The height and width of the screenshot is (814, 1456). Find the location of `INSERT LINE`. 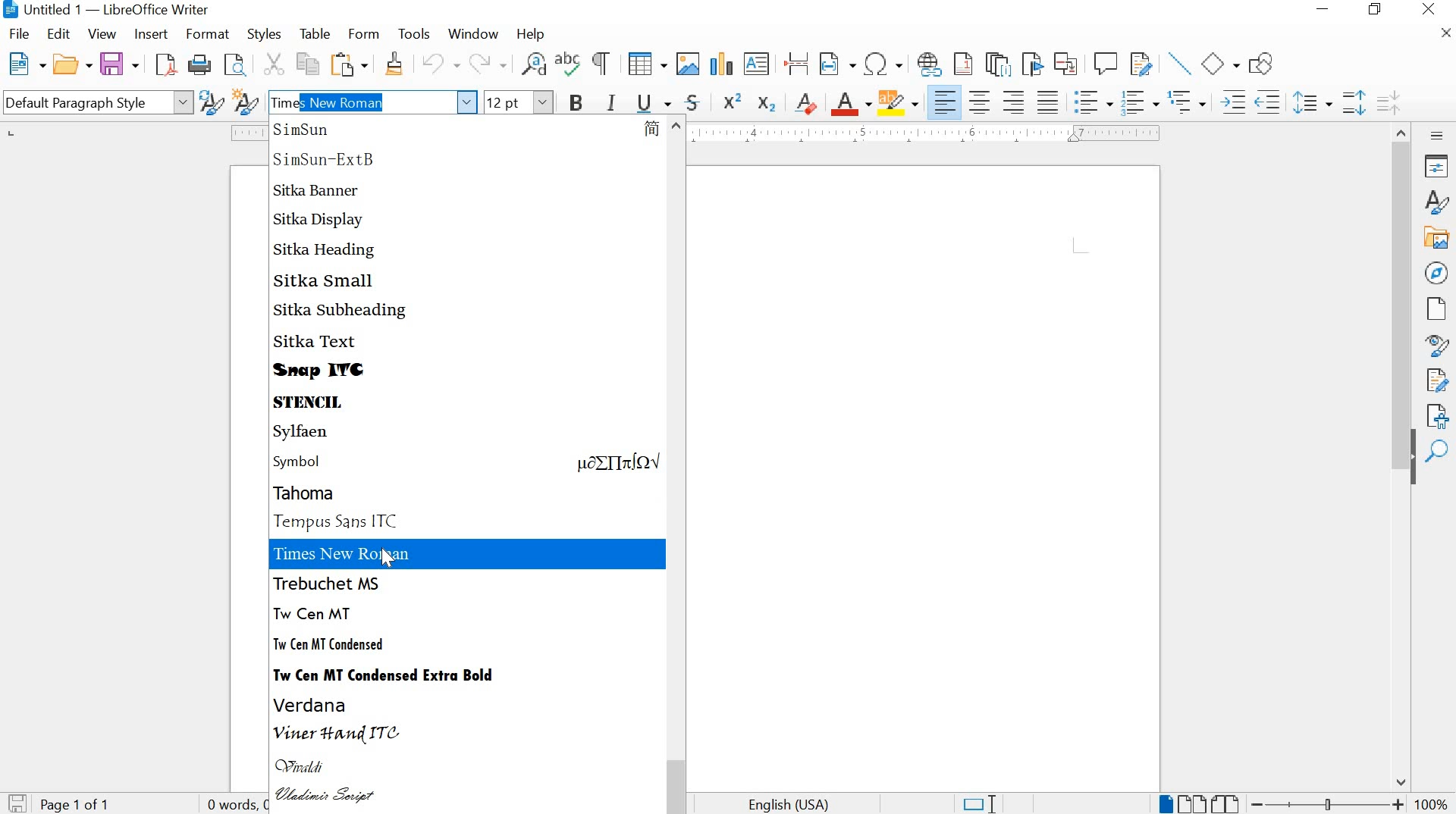

INSERT LINE is located at coordinates (1179, 64).